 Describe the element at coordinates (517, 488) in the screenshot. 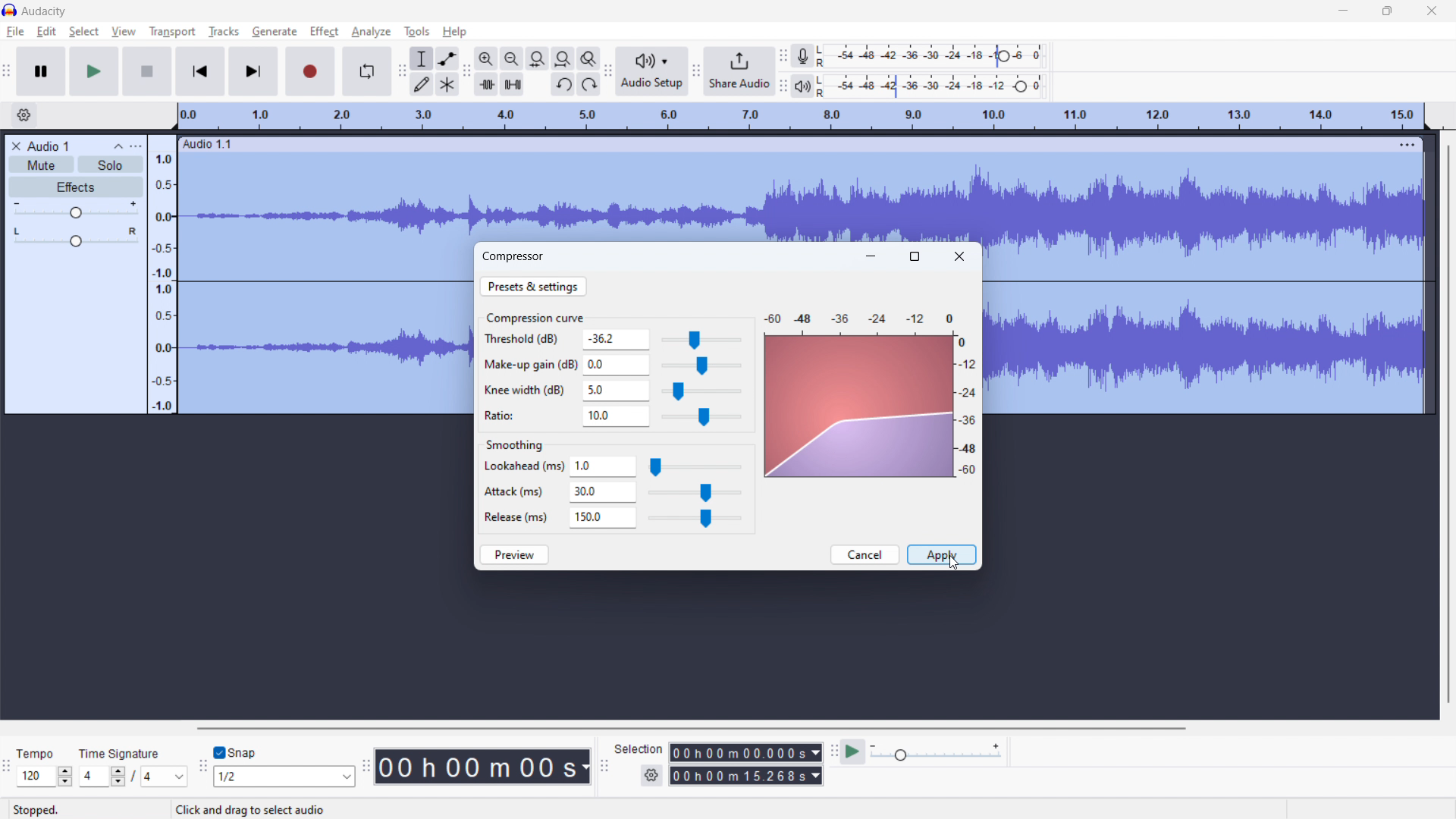

I see `Attack (ms)` at that location.